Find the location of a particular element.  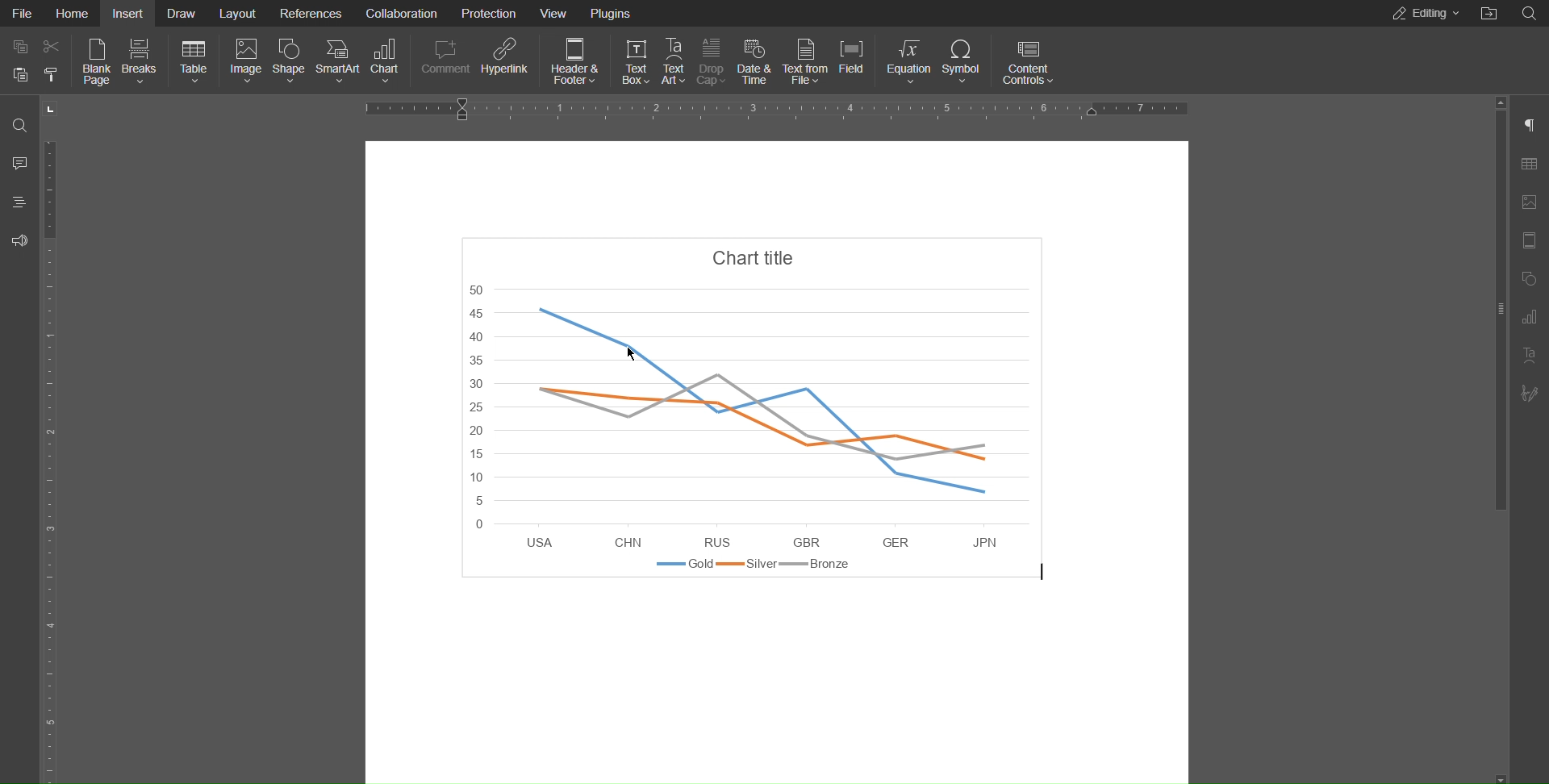

Paragraph Settings is located at coordinates (1530, 127).